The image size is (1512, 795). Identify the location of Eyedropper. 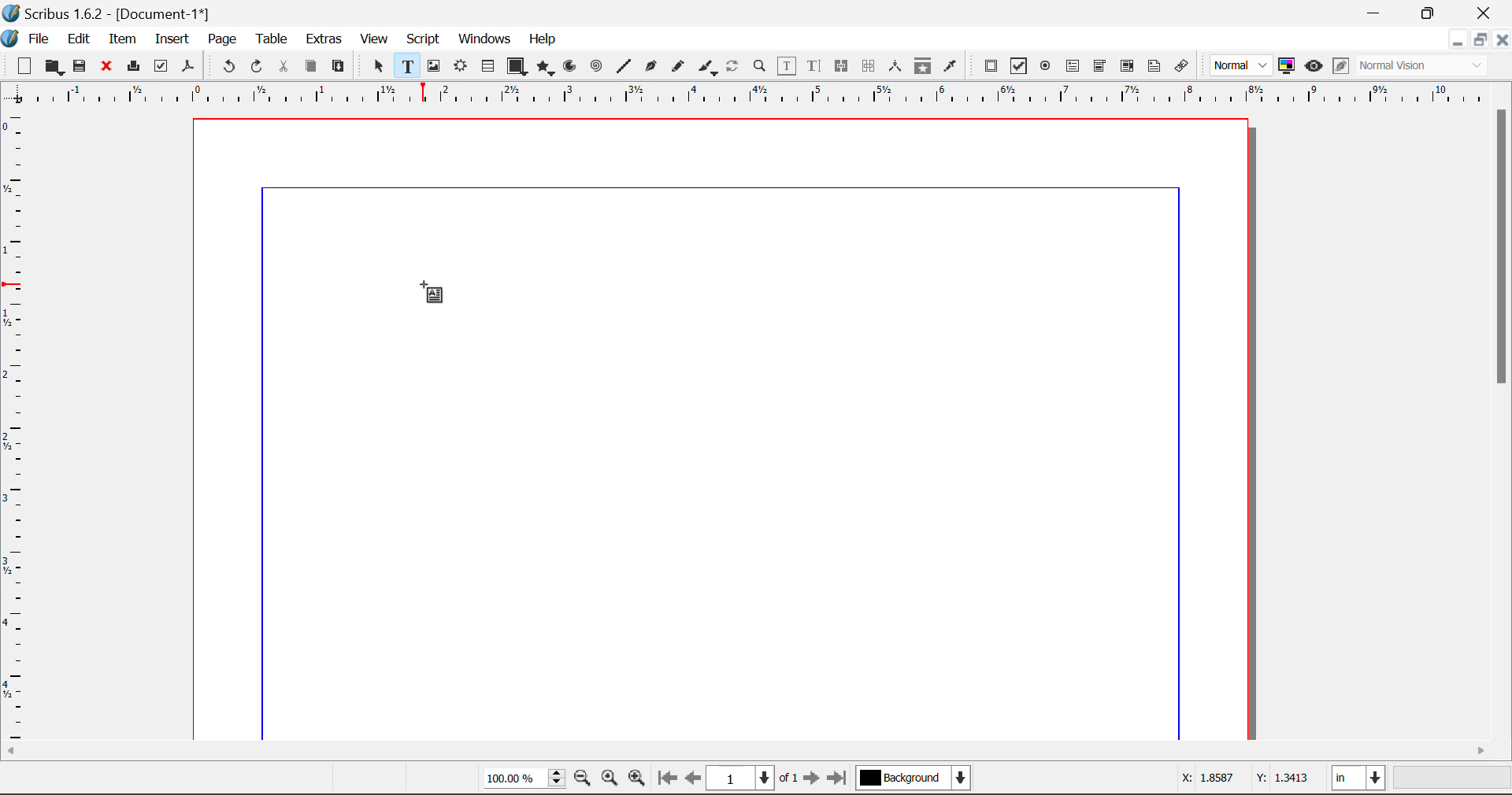
(951, 65).